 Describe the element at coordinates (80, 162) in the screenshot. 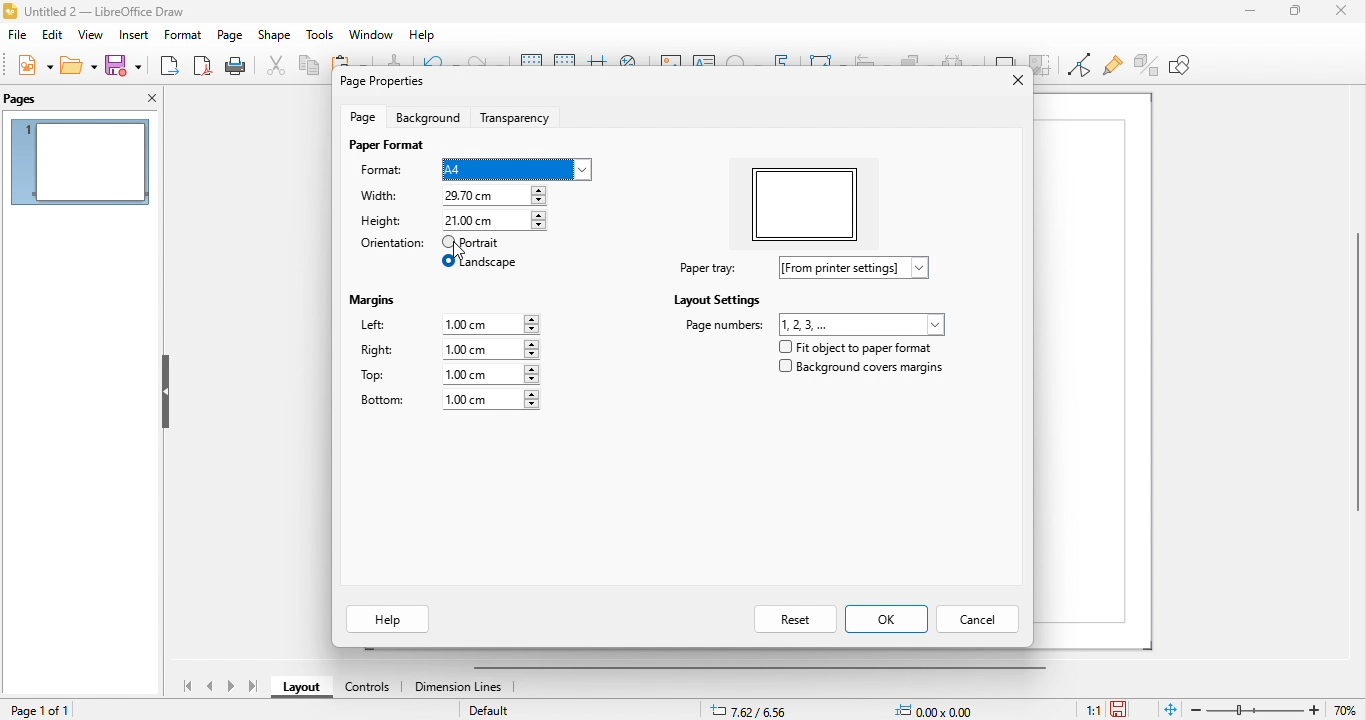

I see `page preview` at that location.